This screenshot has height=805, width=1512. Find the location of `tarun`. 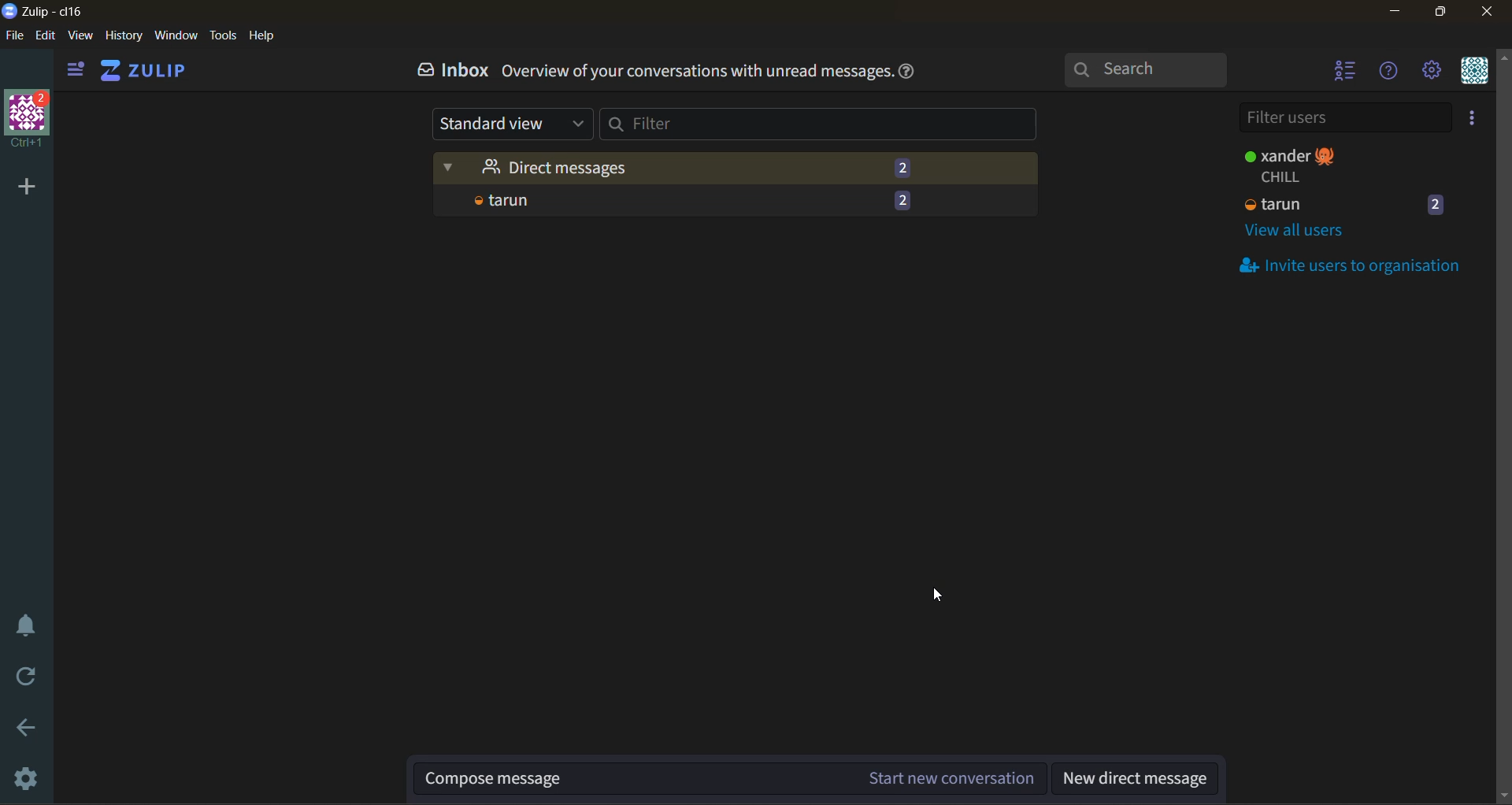

tarun is located at coordinates (726, 200).